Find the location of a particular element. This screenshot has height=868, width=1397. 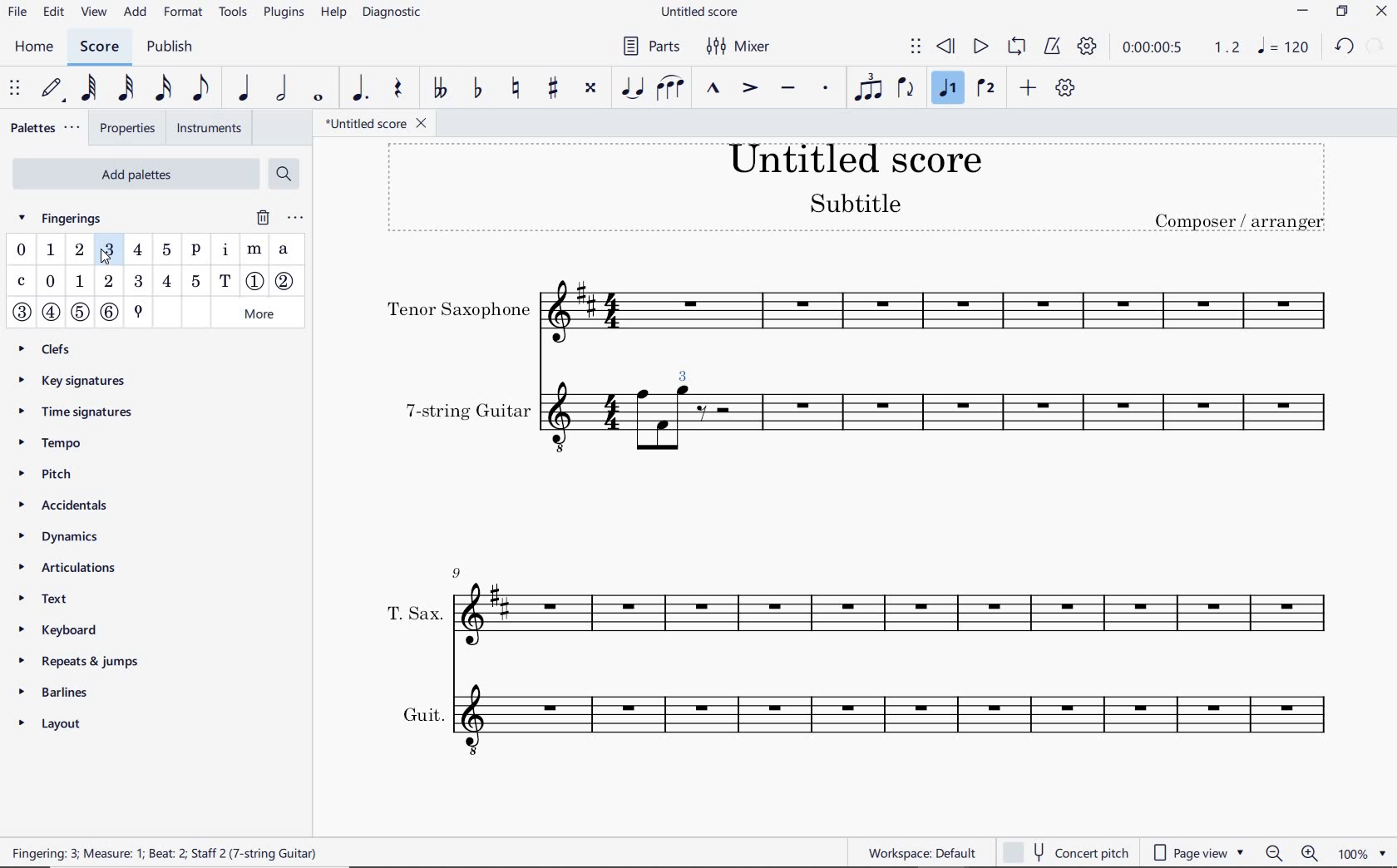

PLUGINS is located at coordinates (284, 16).